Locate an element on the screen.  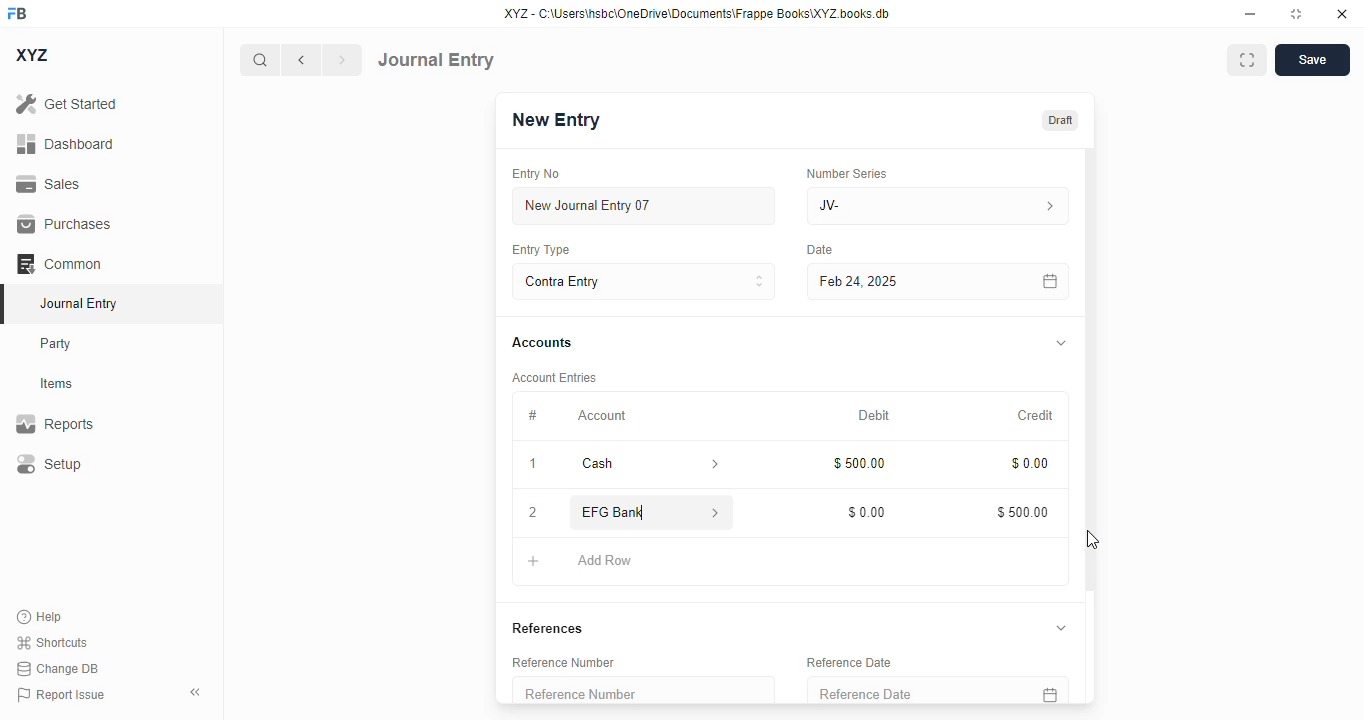
journal entry is located at coordinates (80, 303).